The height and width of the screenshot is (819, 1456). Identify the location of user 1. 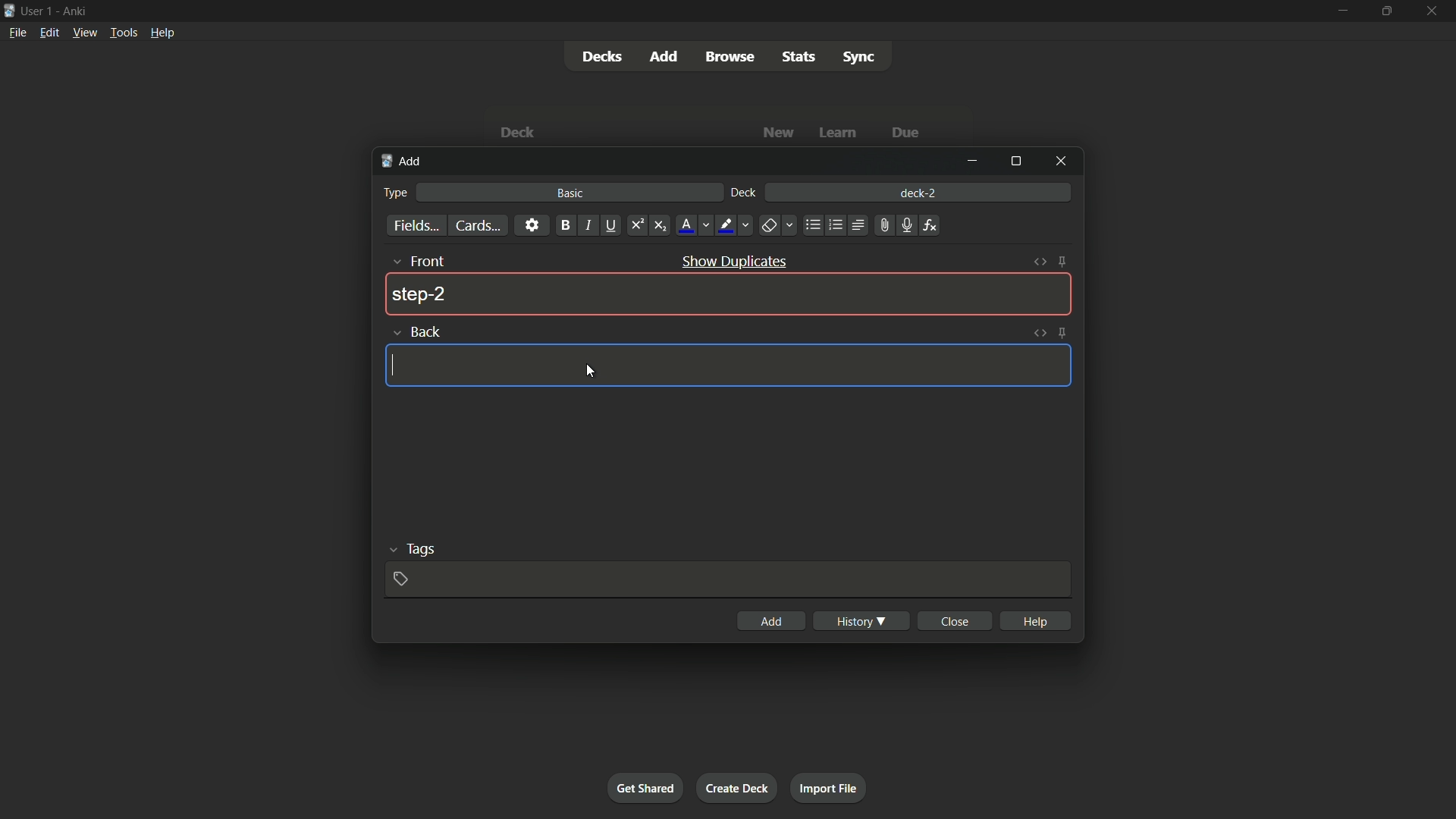
(39, 13).